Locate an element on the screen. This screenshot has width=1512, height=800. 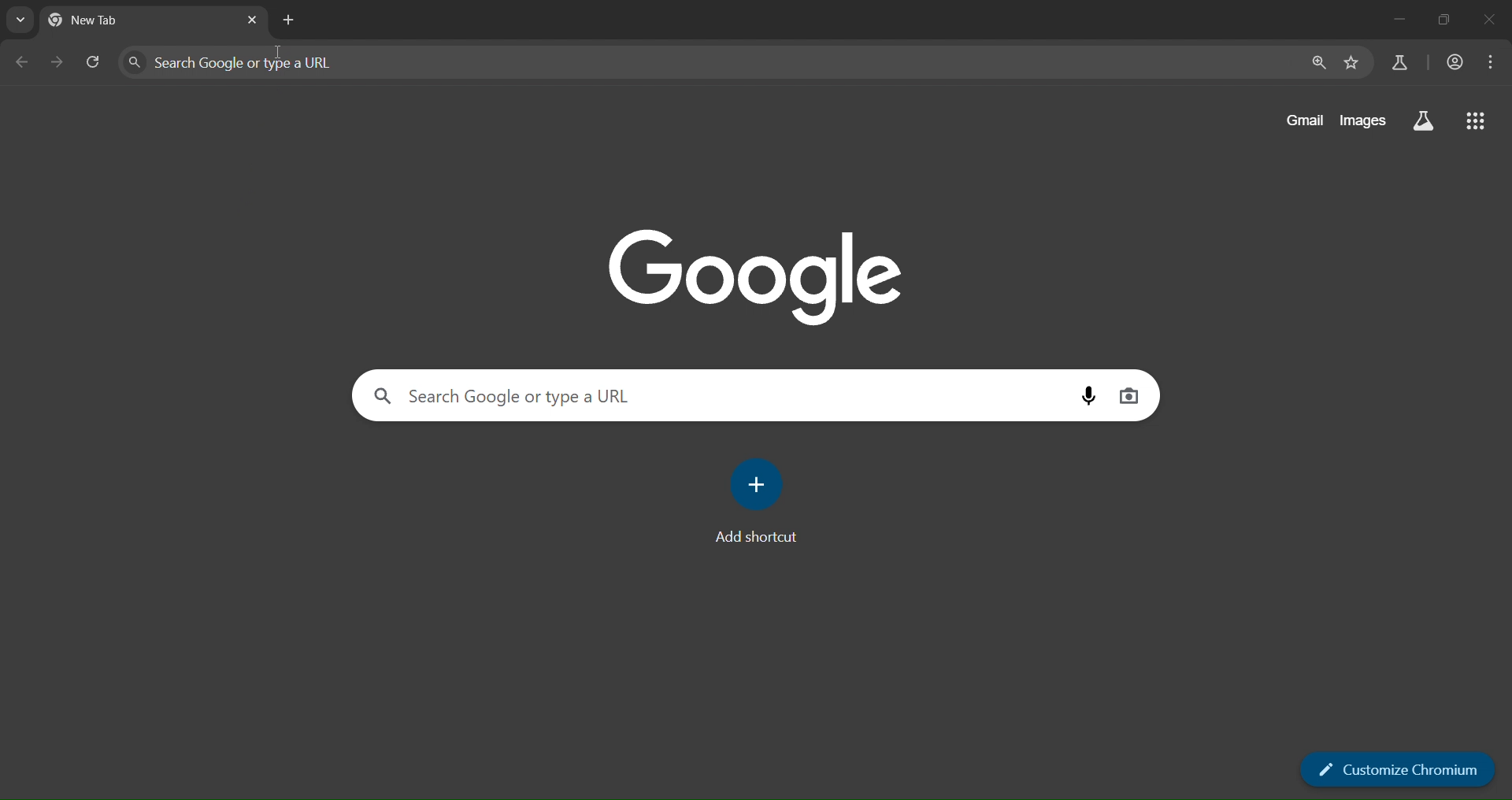
menu is located at coordinates (1490, 65).